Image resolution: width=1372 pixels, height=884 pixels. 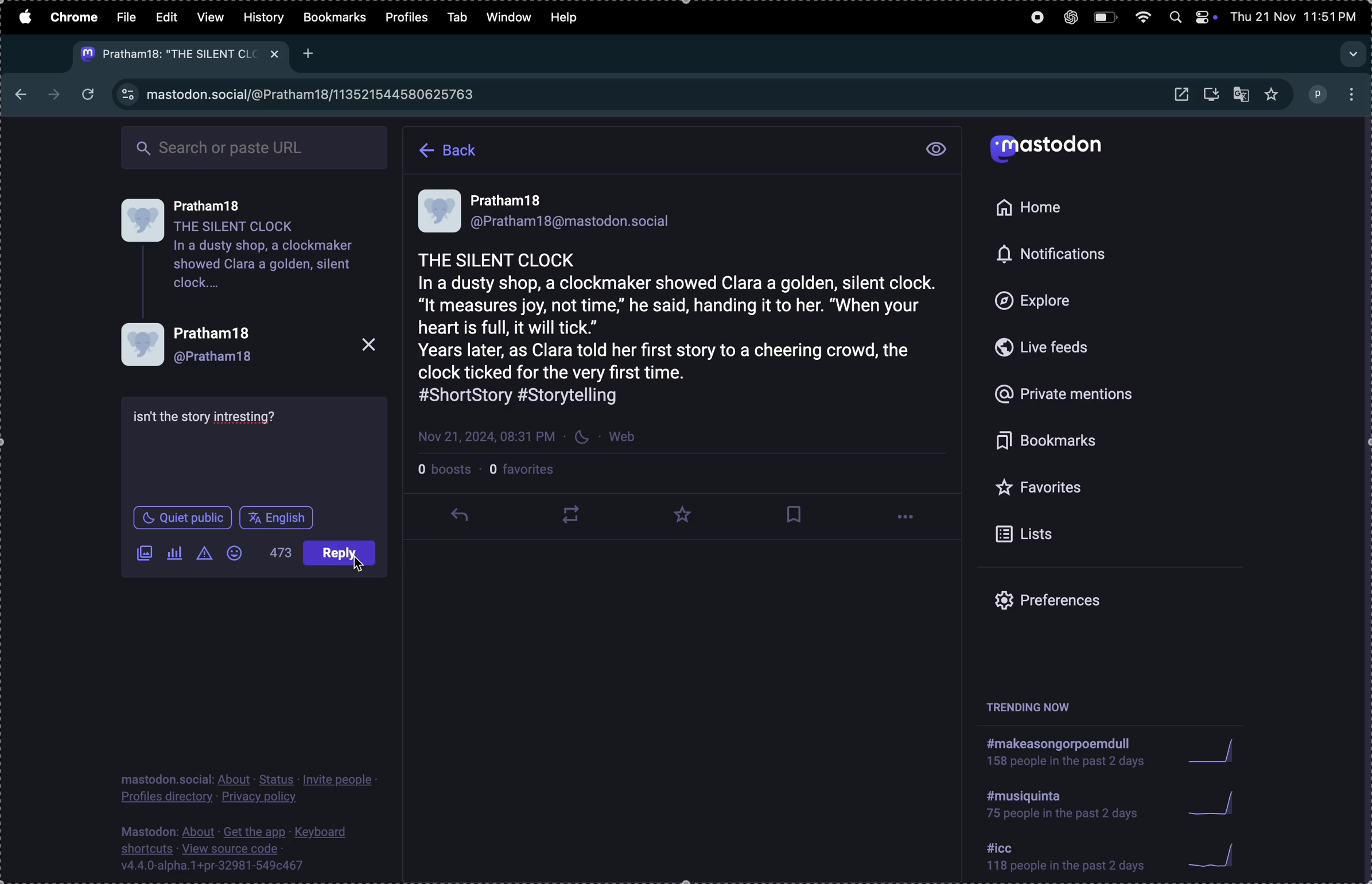 What do you see at coordinates (1206, 17) in the screenshot?
I see `apple widgets` at bounding box center [1206, 17].